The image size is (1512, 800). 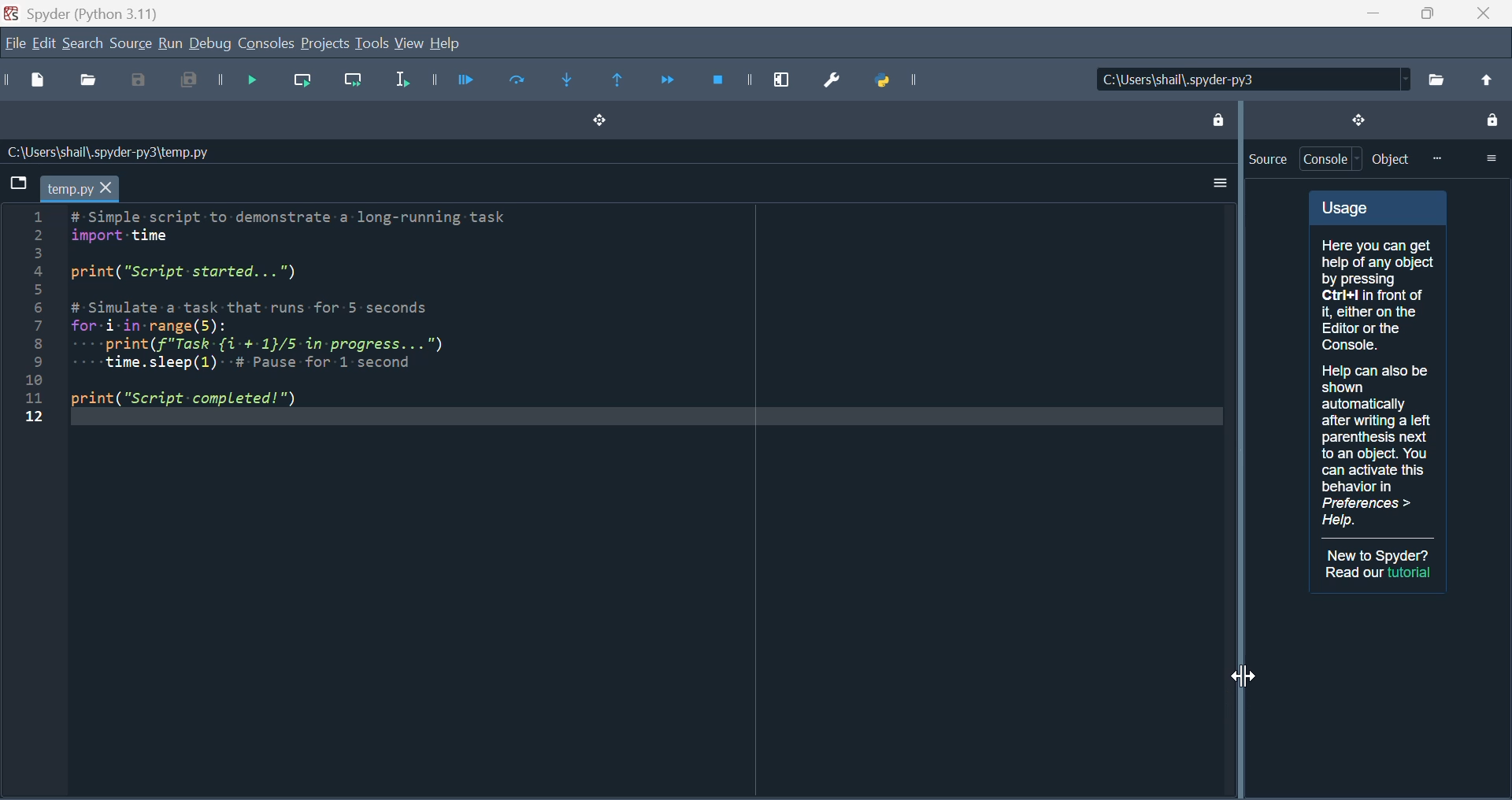 What do you see at coordinates (1216, 183) in the screenshot?
I see `More options` at bounding box center [1216, 183].